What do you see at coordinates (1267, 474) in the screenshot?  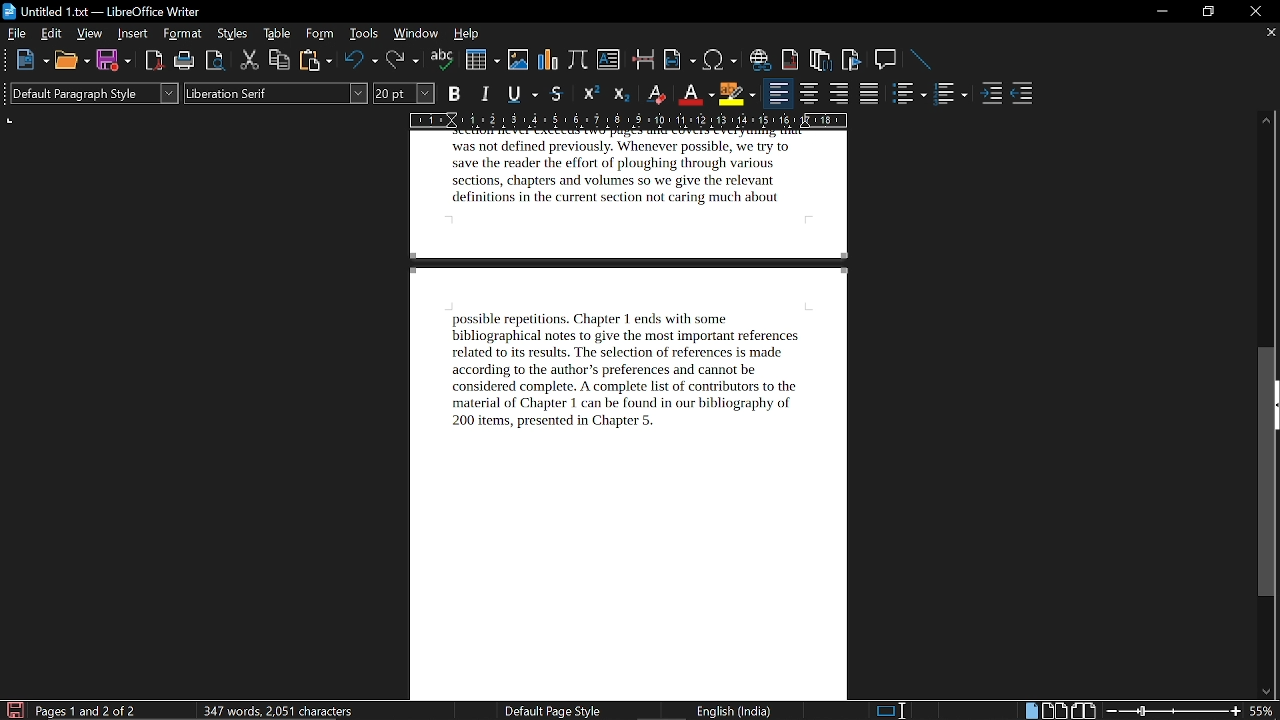 I see `vertical scrollbar` at bounding box center [1267, 474].